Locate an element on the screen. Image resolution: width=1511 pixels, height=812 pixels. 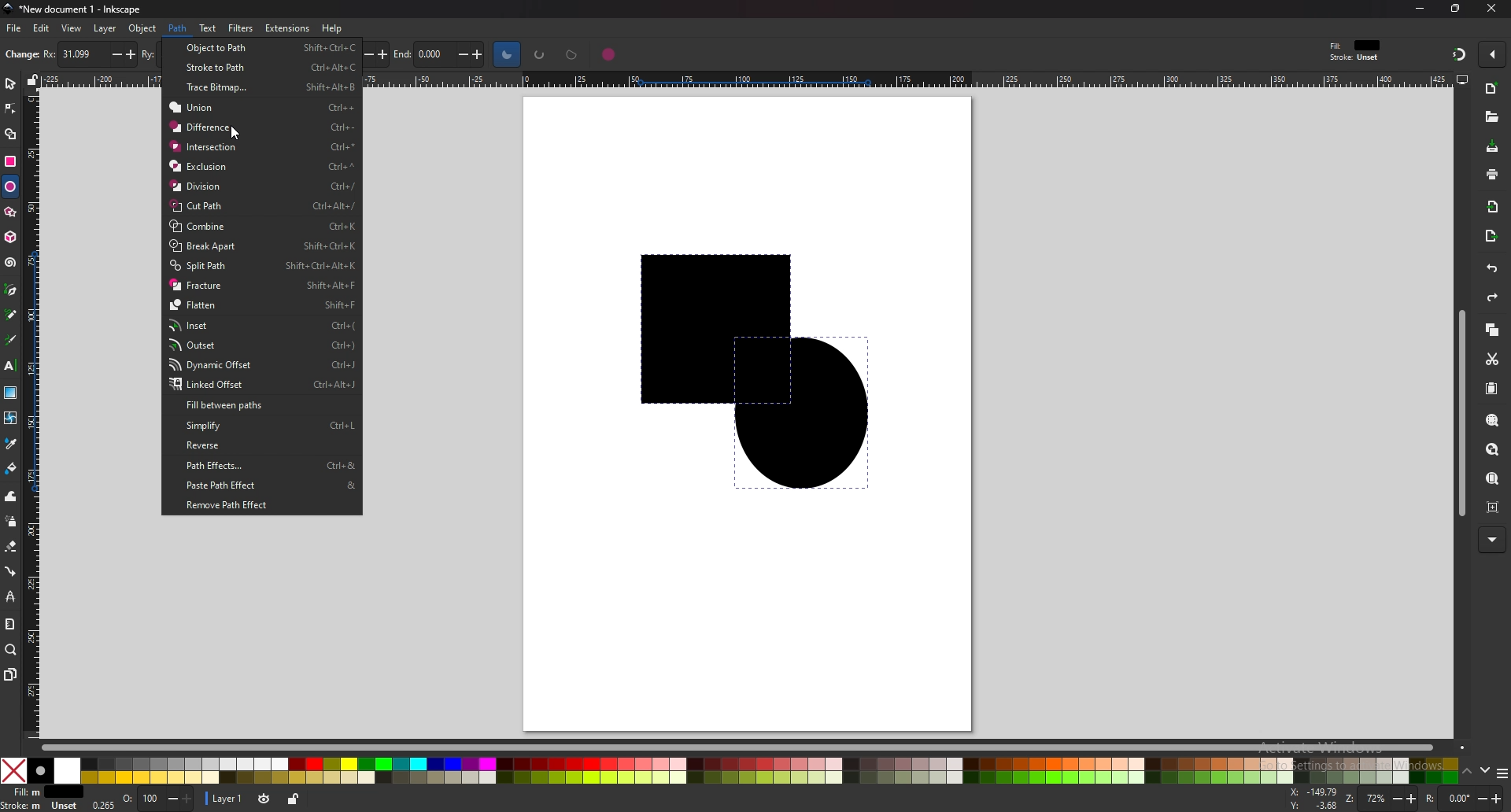
eraser is located at coordinates (11, 546).